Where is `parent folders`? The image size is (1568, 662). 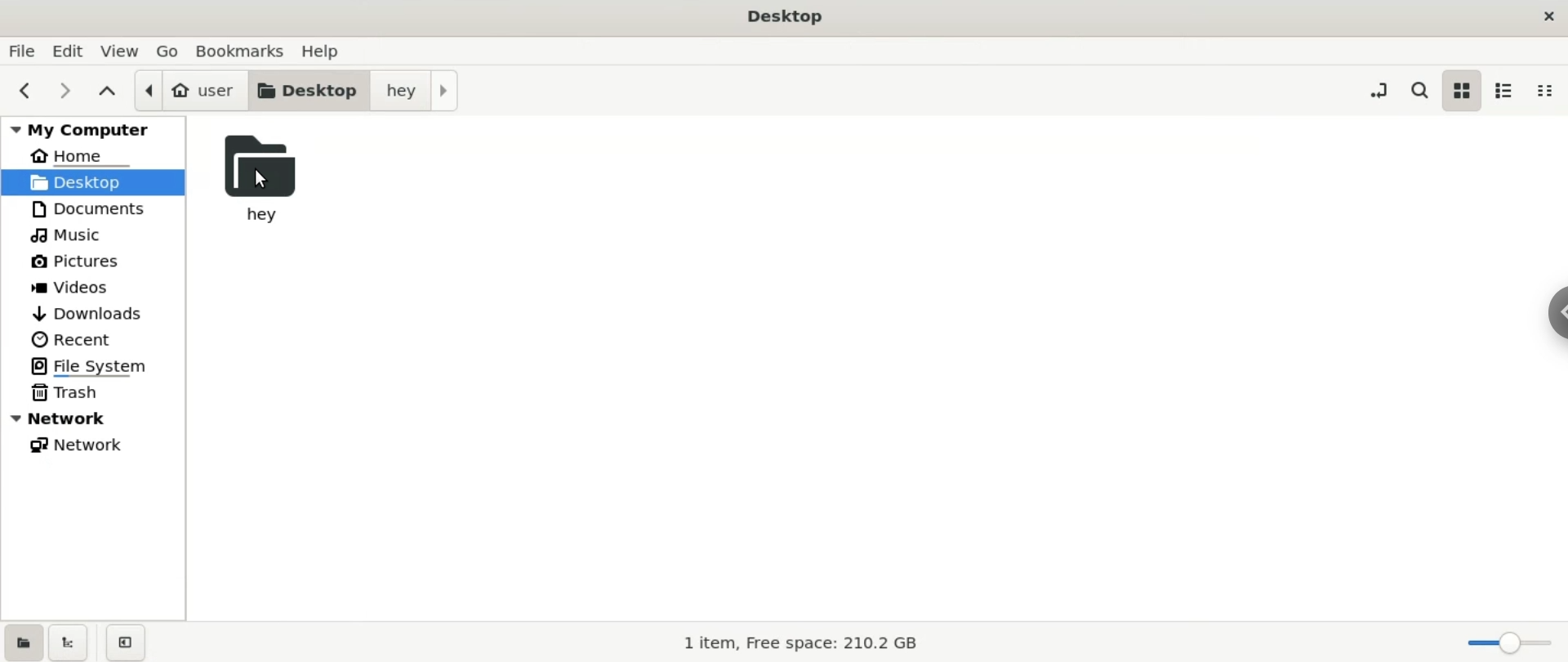
parent folders is located at coordinates (110, 93).